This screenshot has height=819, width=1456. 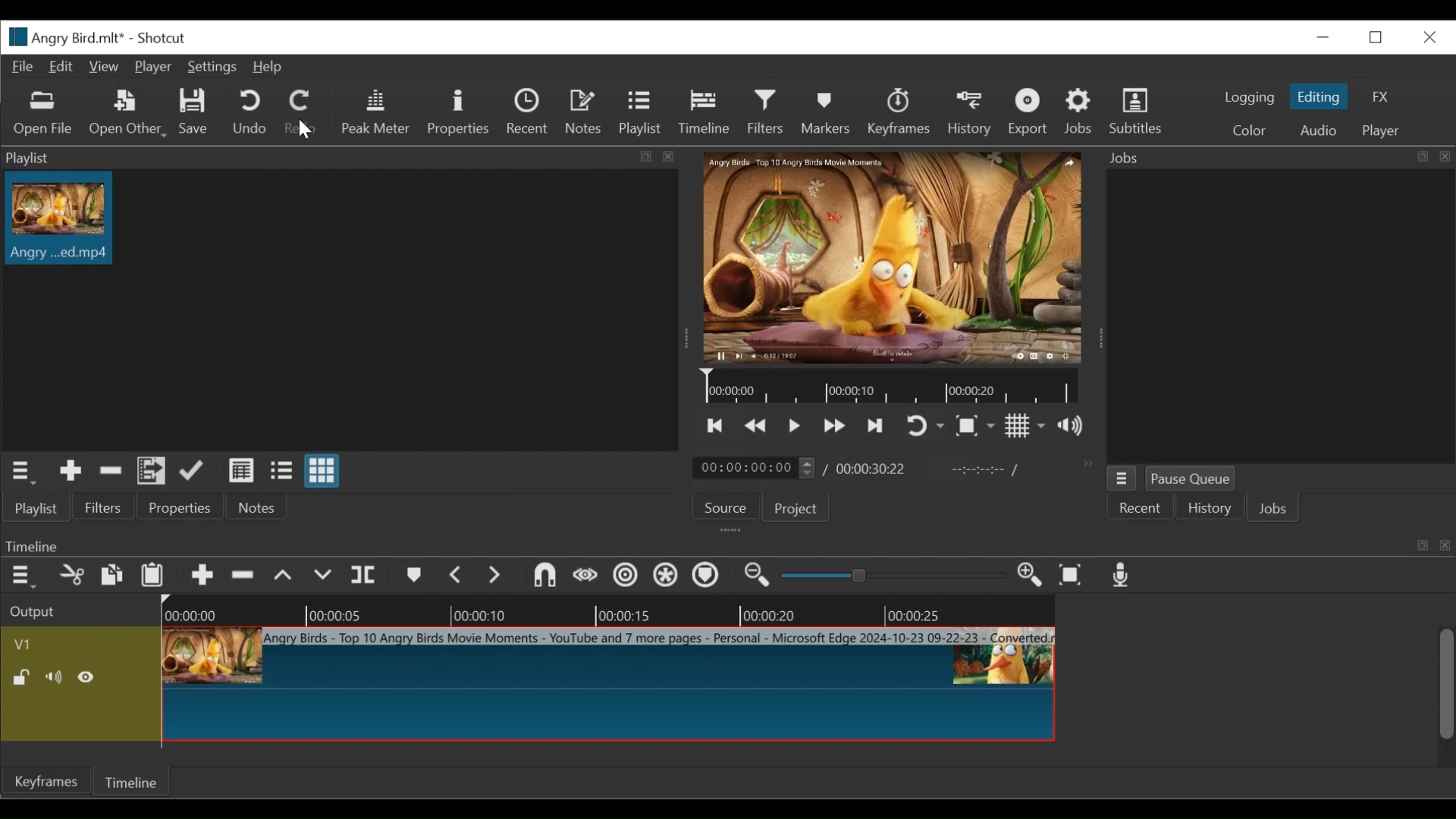 What do you see at coordinates (1070, 425) in the screenshot?
I see `Show volume control` at bounding box center [1070, 425].